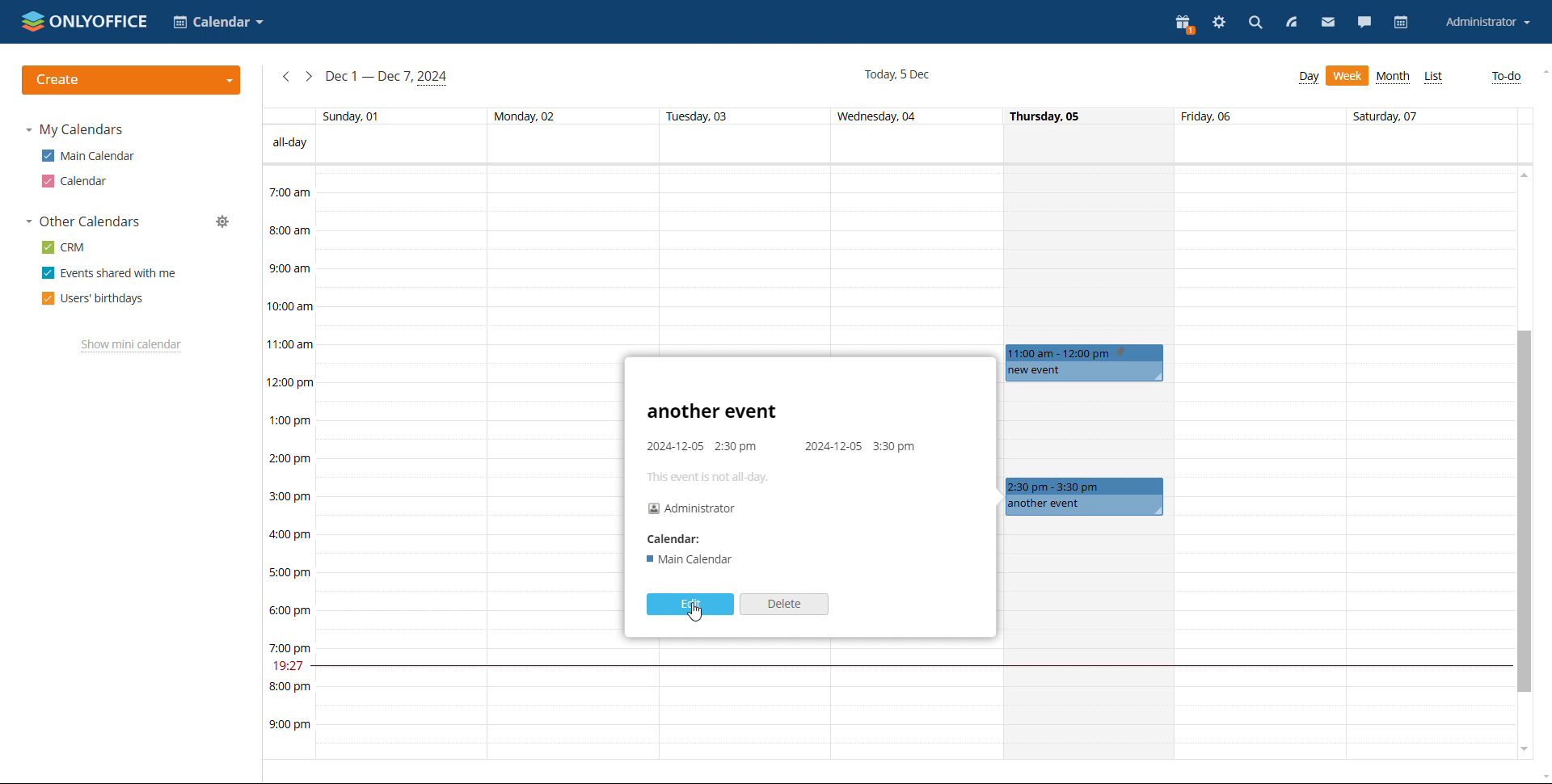 This screenshot has width=1552, height=784. I want to click on present, so click(1185, 24).